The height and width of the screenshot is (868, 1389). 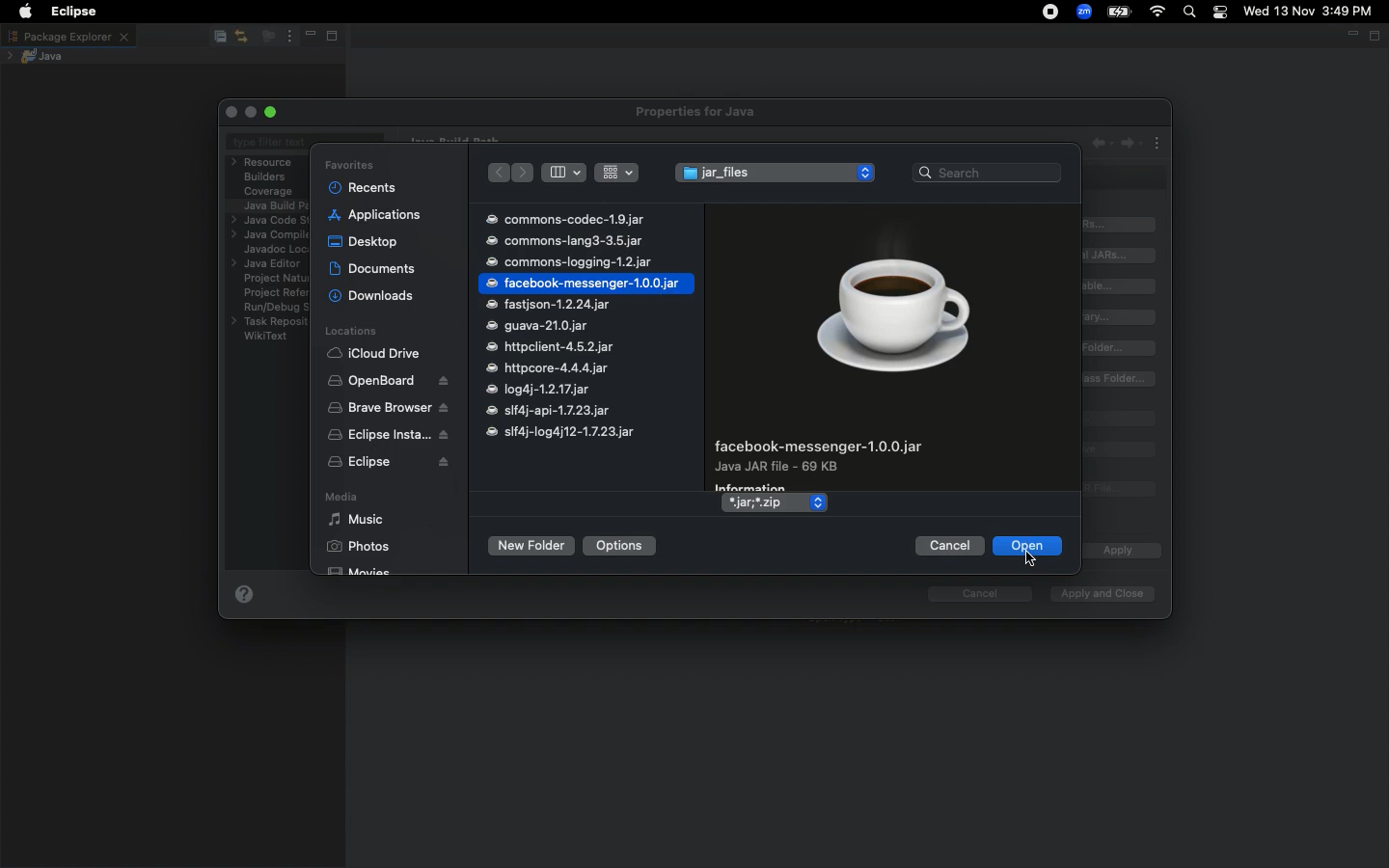 I want to click on Add external JAR, so click(x=1120, y=255).